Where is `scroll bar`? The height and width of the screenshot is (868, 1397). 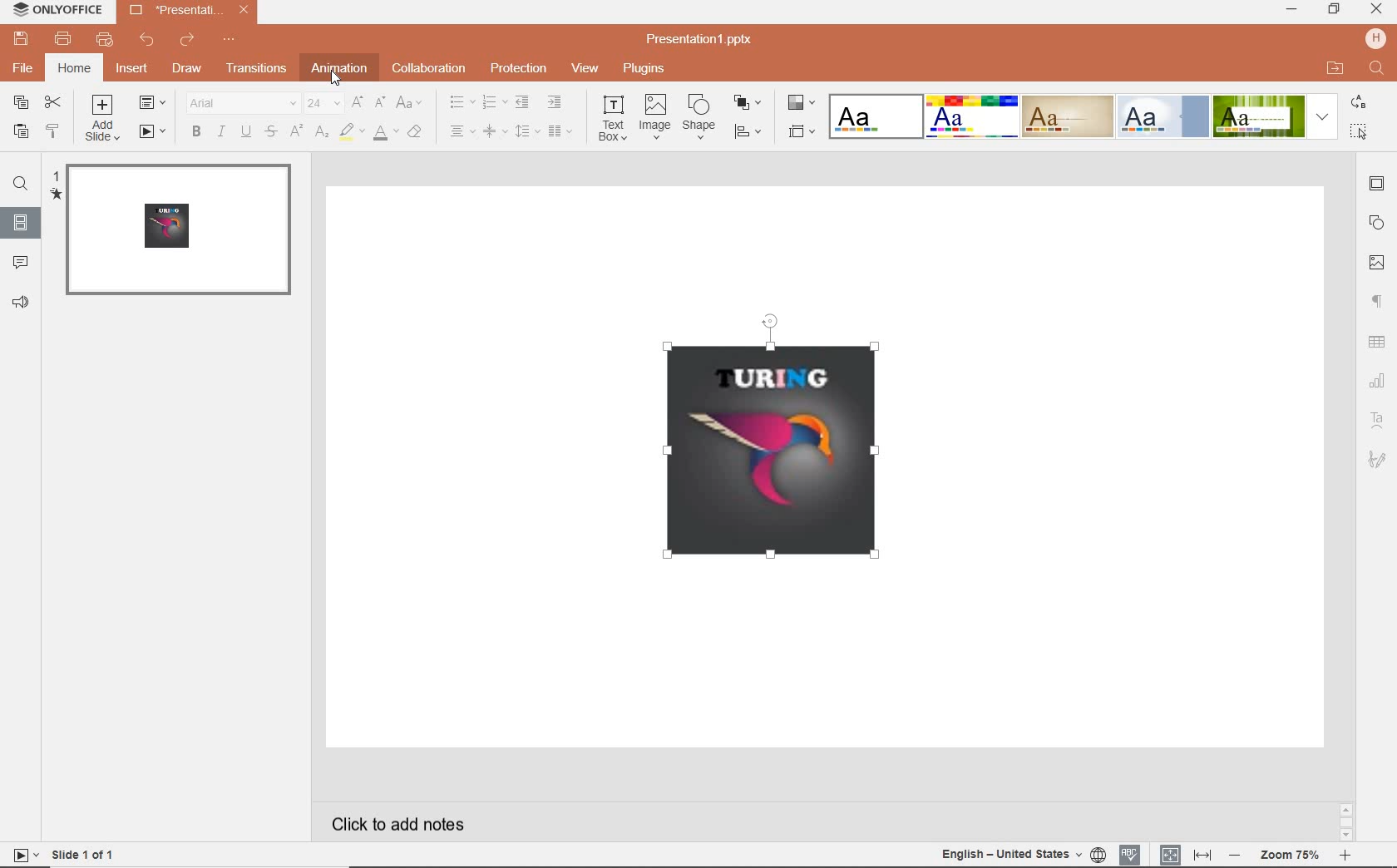
scroll bar is located at coordinates (1345, 823).